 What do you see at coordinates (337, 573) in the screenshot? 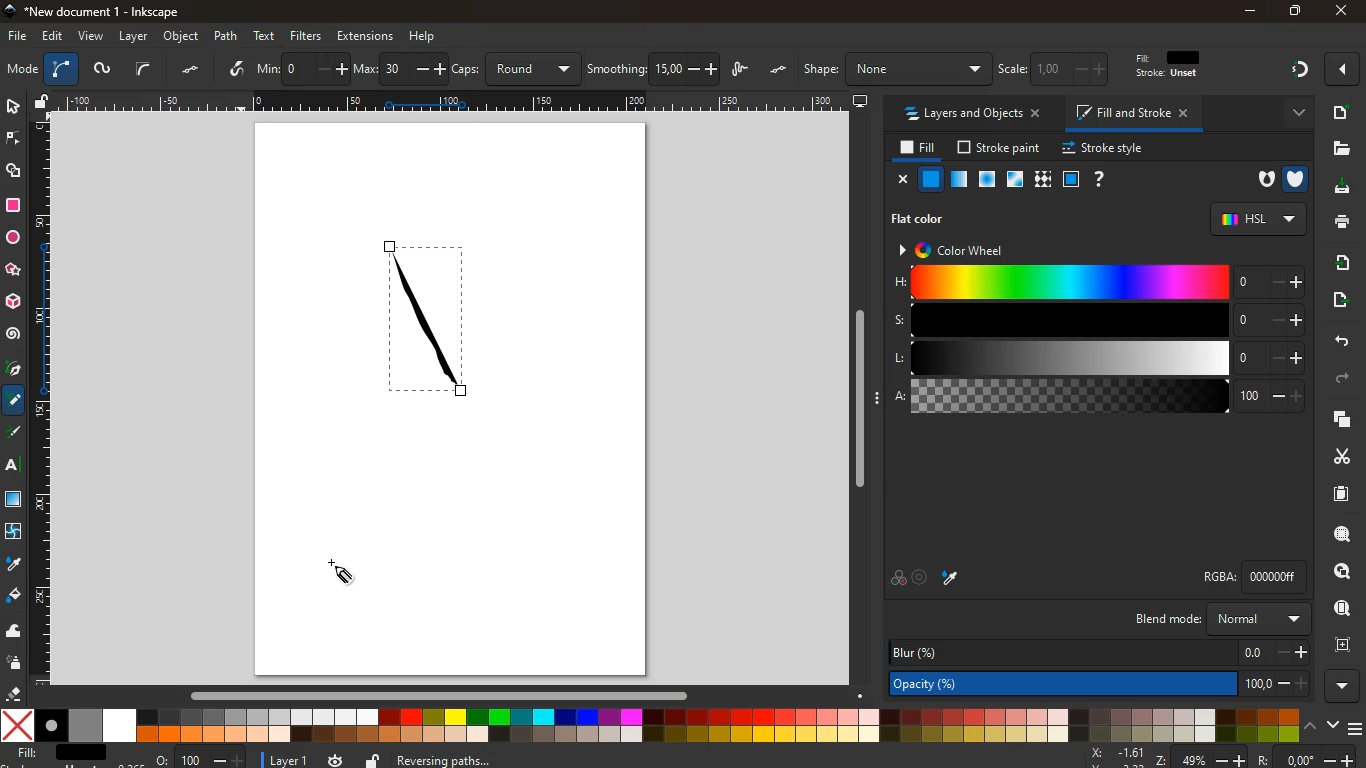
I see `Cursor` at bounding box center [337, 573].